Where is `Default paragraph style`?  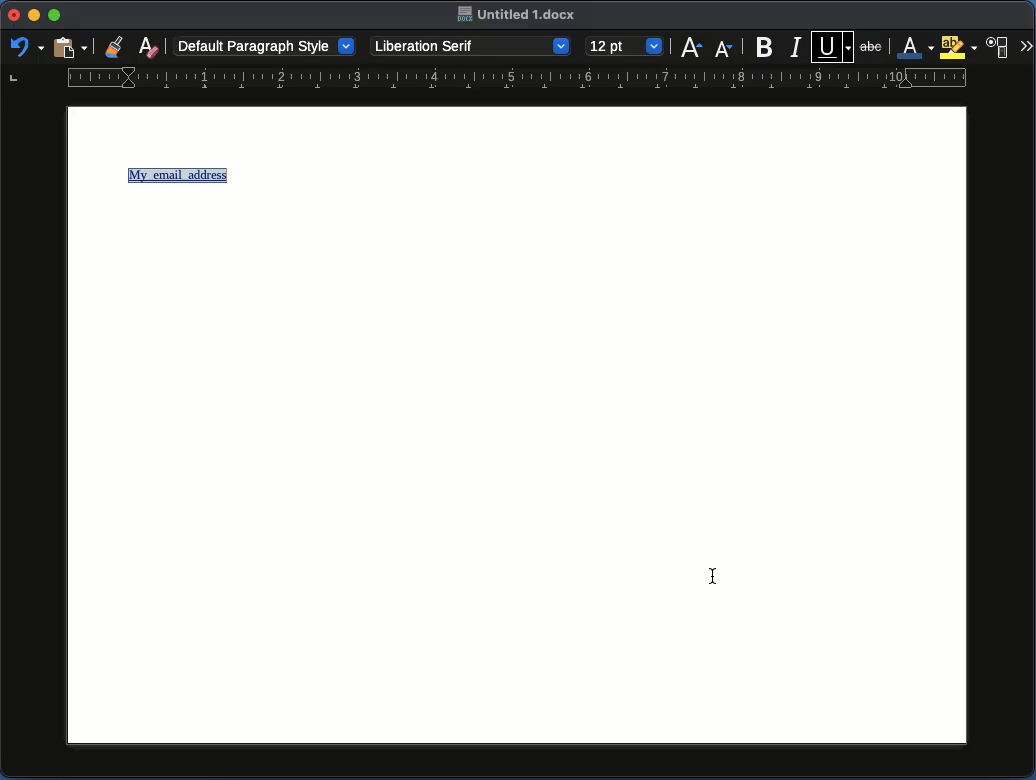
Default paragraph style is located at coordinates (265, 45).